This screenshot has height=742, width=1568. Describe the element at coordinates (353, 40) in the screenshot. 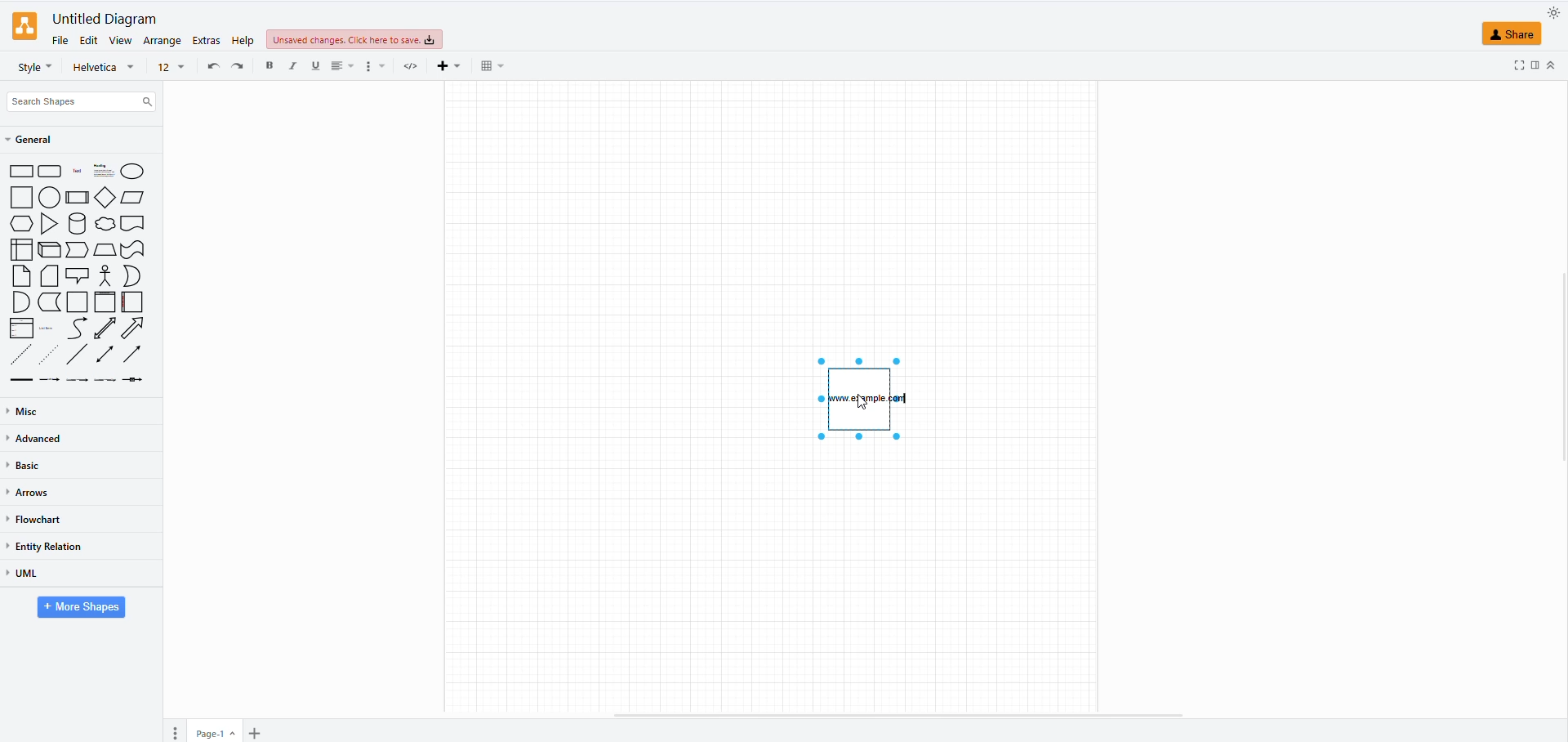

I see `unsaved changes` at that location.